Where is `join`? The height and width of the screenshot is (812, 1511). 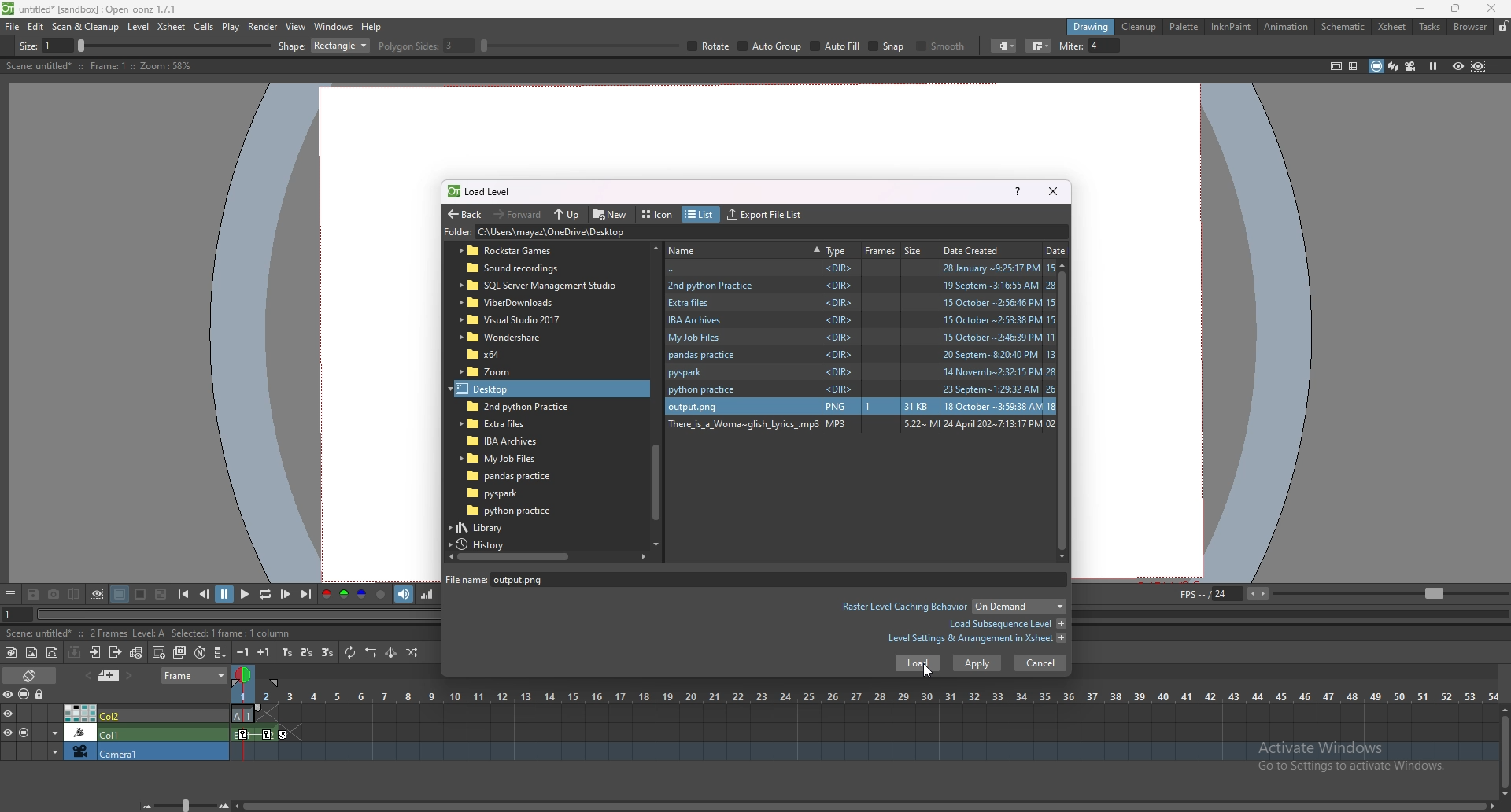 join is located at coordinates (1315, 46).